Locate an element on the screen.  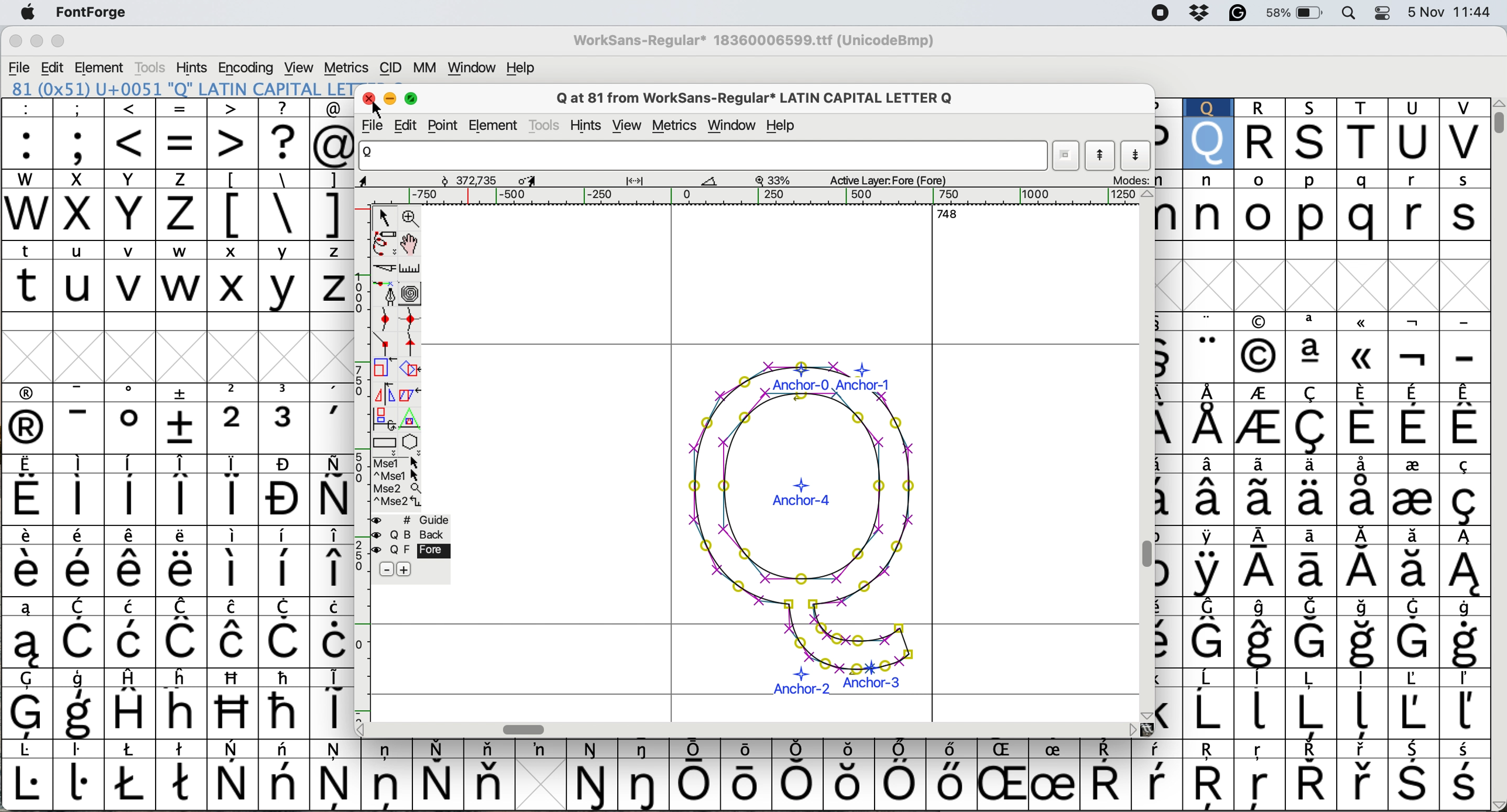
file is located at coordinates (20, 67).